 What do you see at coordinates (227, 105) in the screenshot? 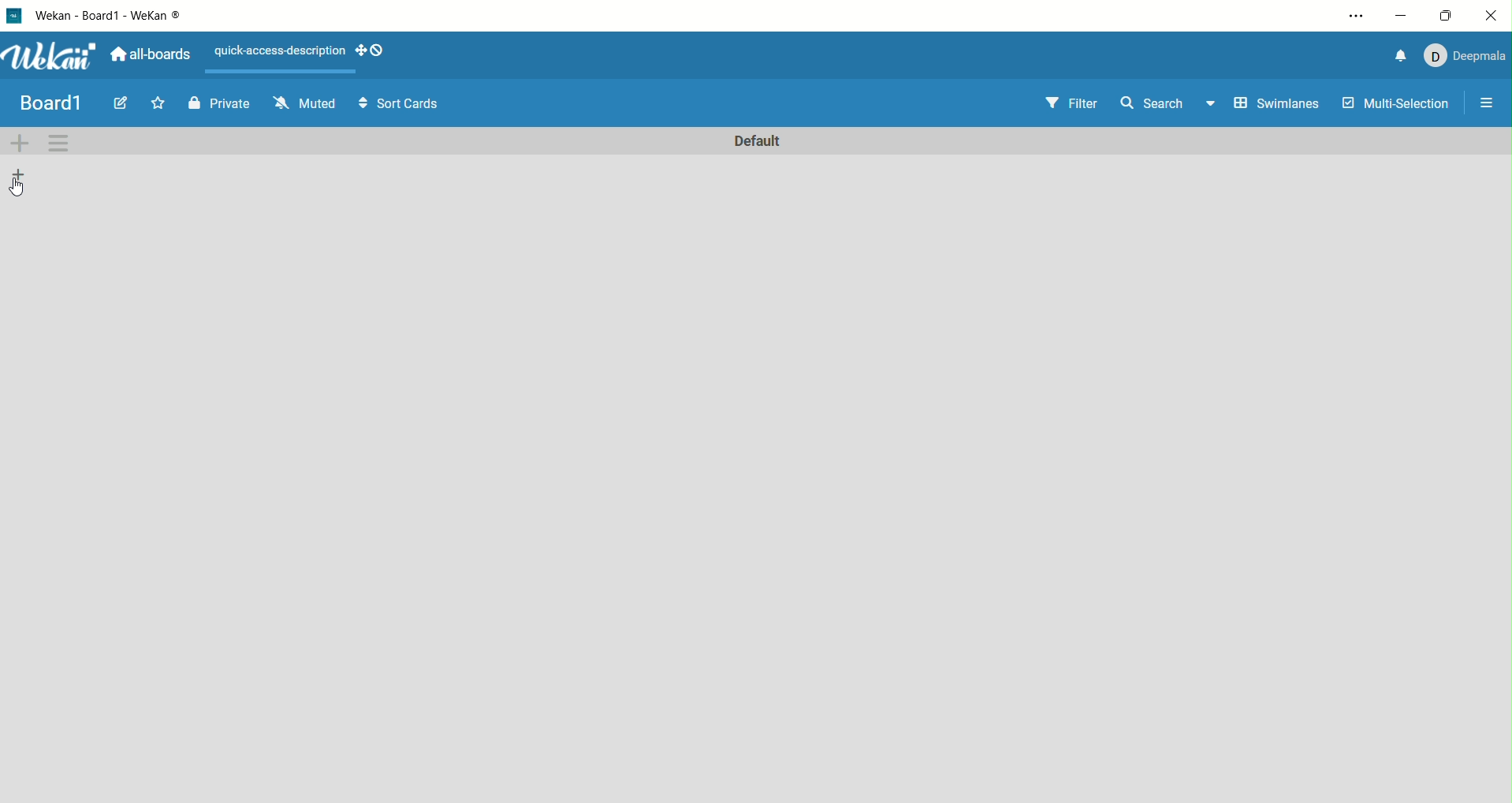
I see `private` at bounding box center [227, 105].